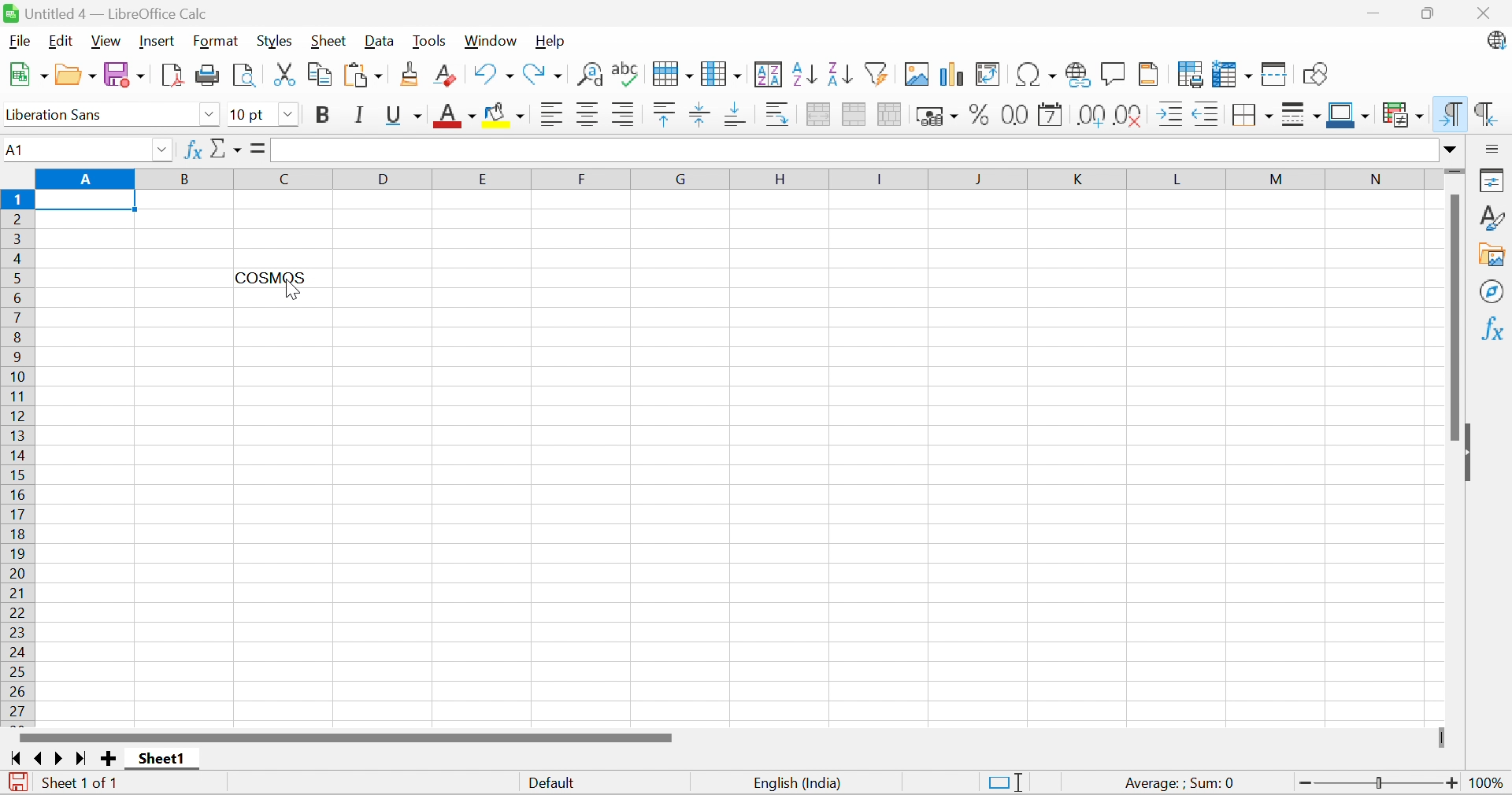 Image resolution: width=1512 pixels, height=795 pixels. What do you see at coordinates (39, 758) in the screenshot?
I see `Scroll To Previous Sheet` at bounding box center [39, 758].